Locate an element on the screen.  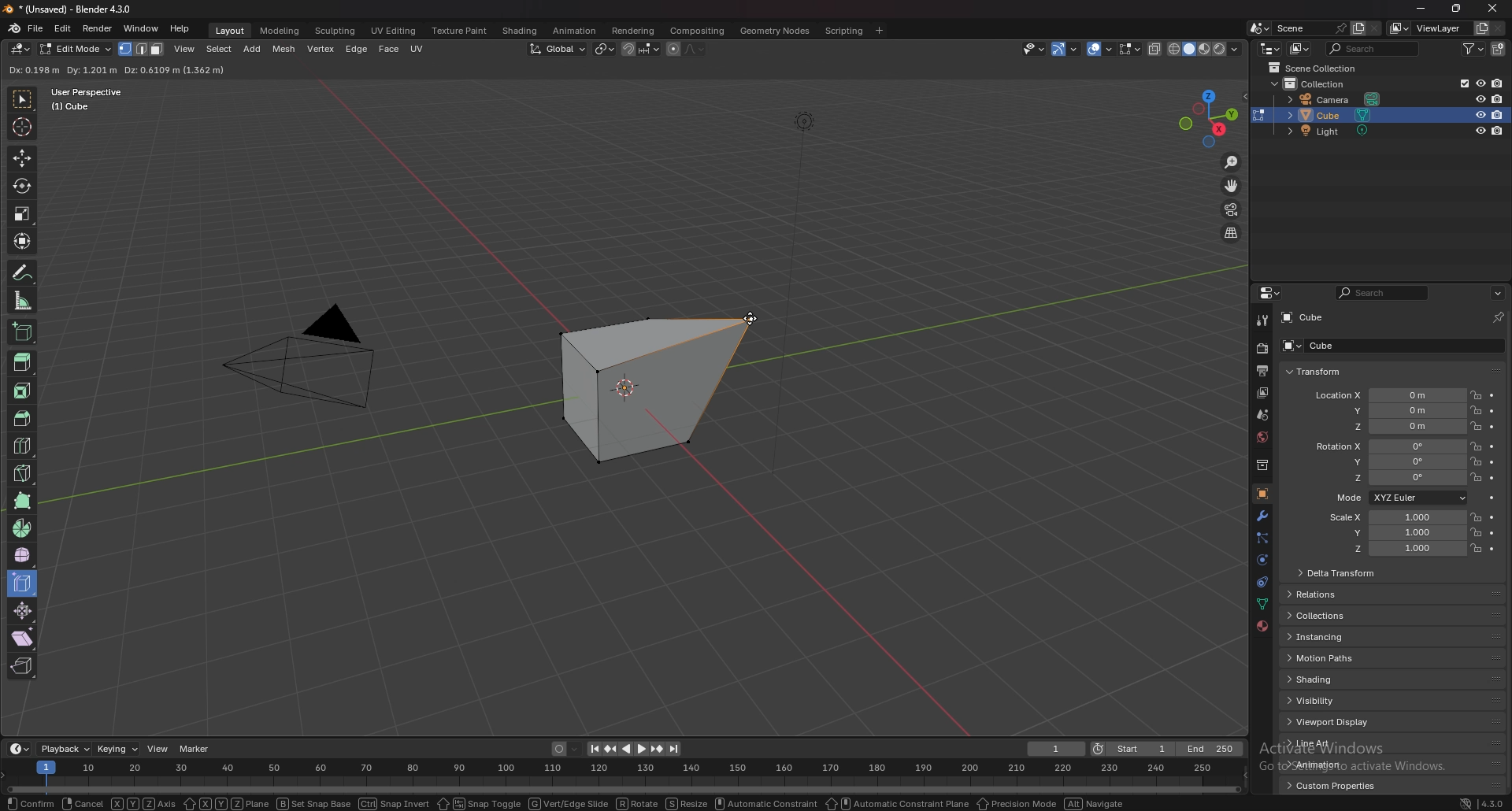
location x is located at coordinates (1385, 395).